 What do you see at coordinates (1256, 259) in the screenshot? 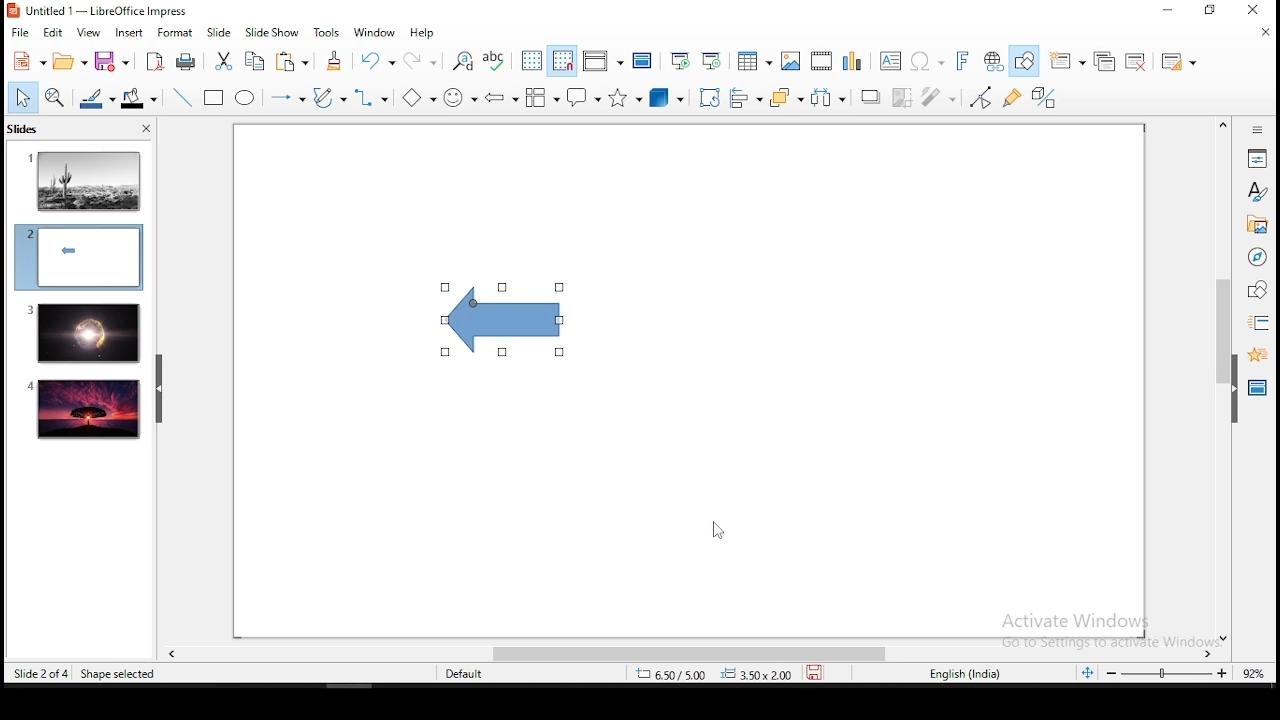
I see `navigator` at bounding box center [1256, 259].